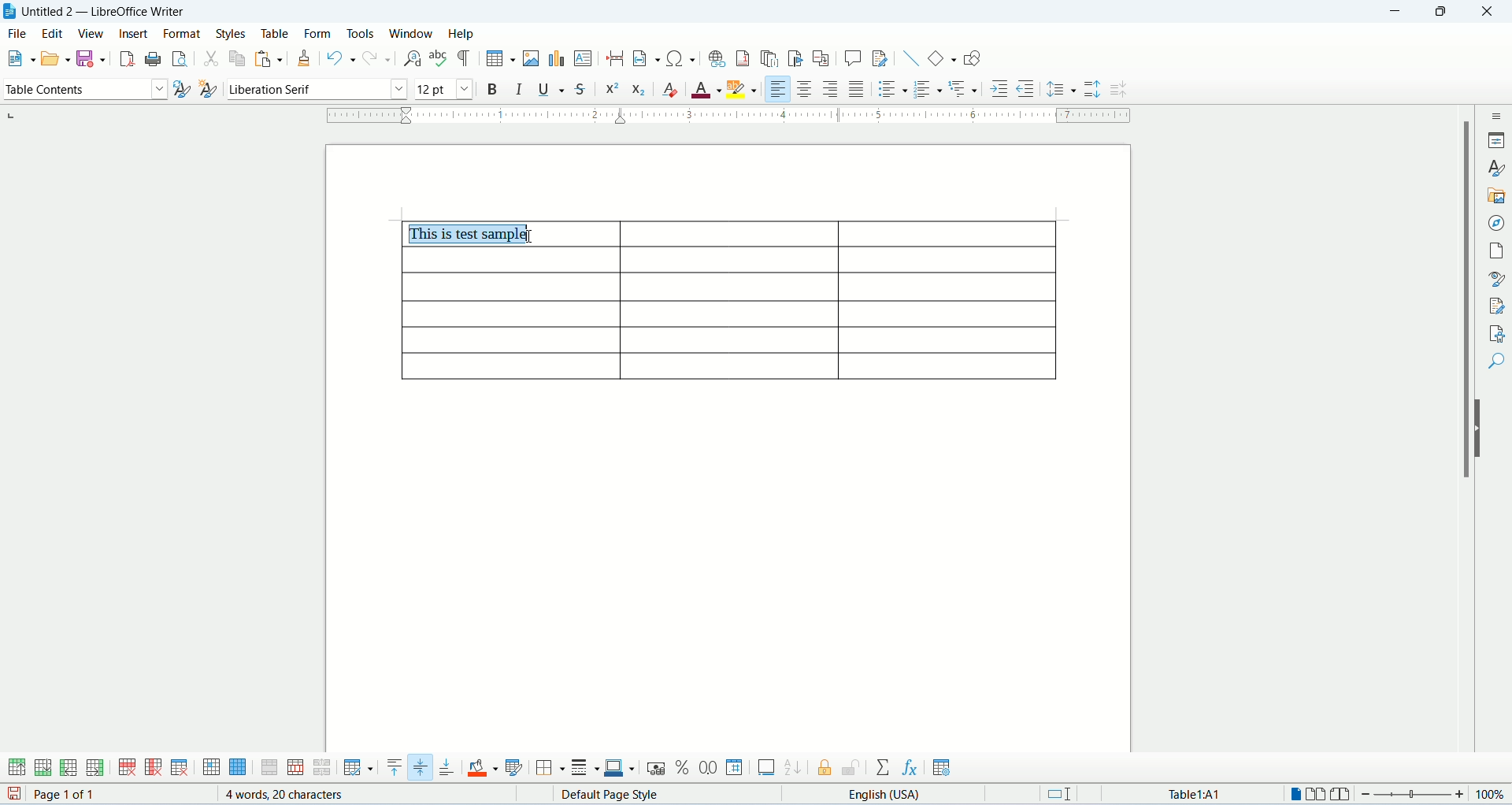  Describe the element at coordinates (180, 58) in the screenshot. I see `print preview` at that location.